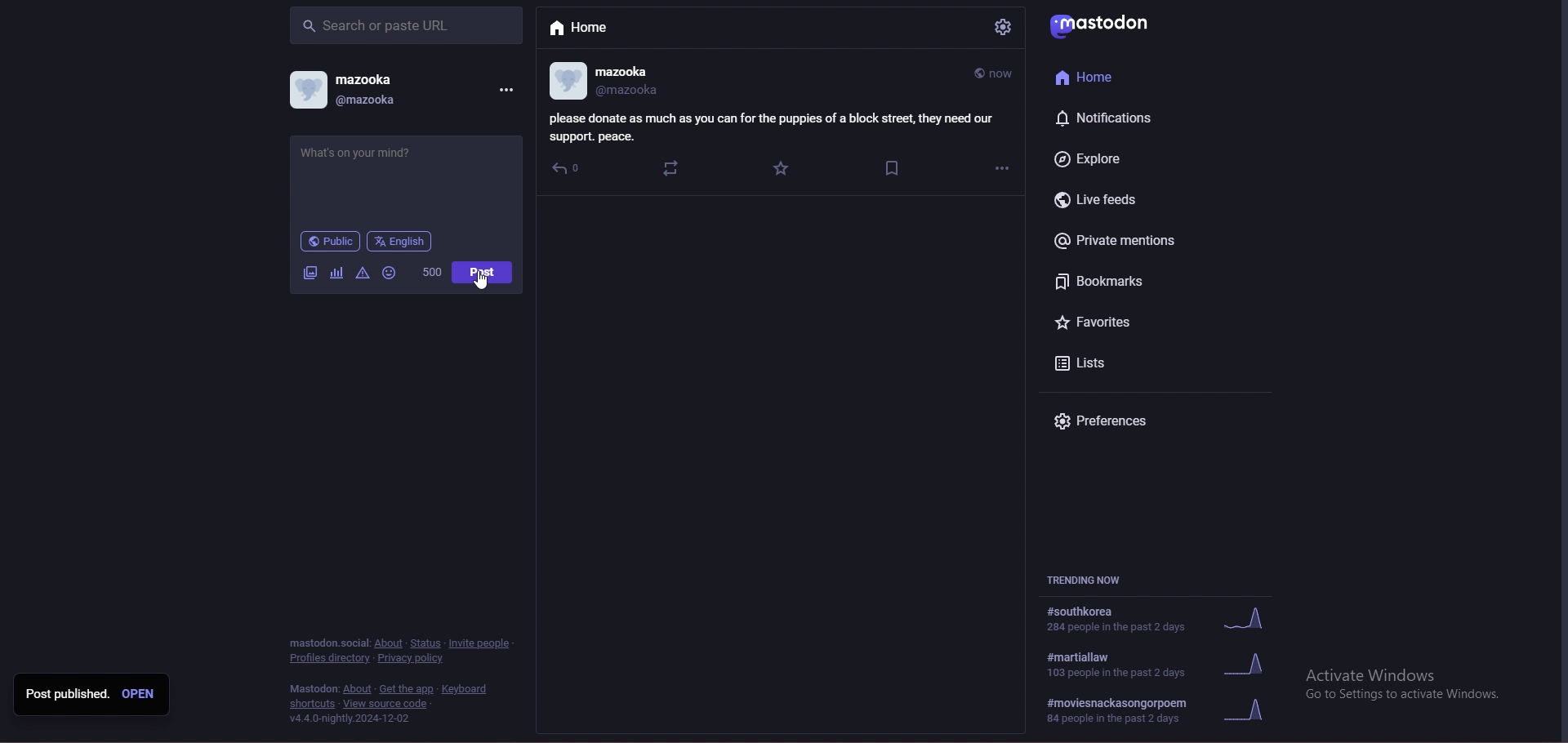  I want to click on keyboard, so click(465, 689).